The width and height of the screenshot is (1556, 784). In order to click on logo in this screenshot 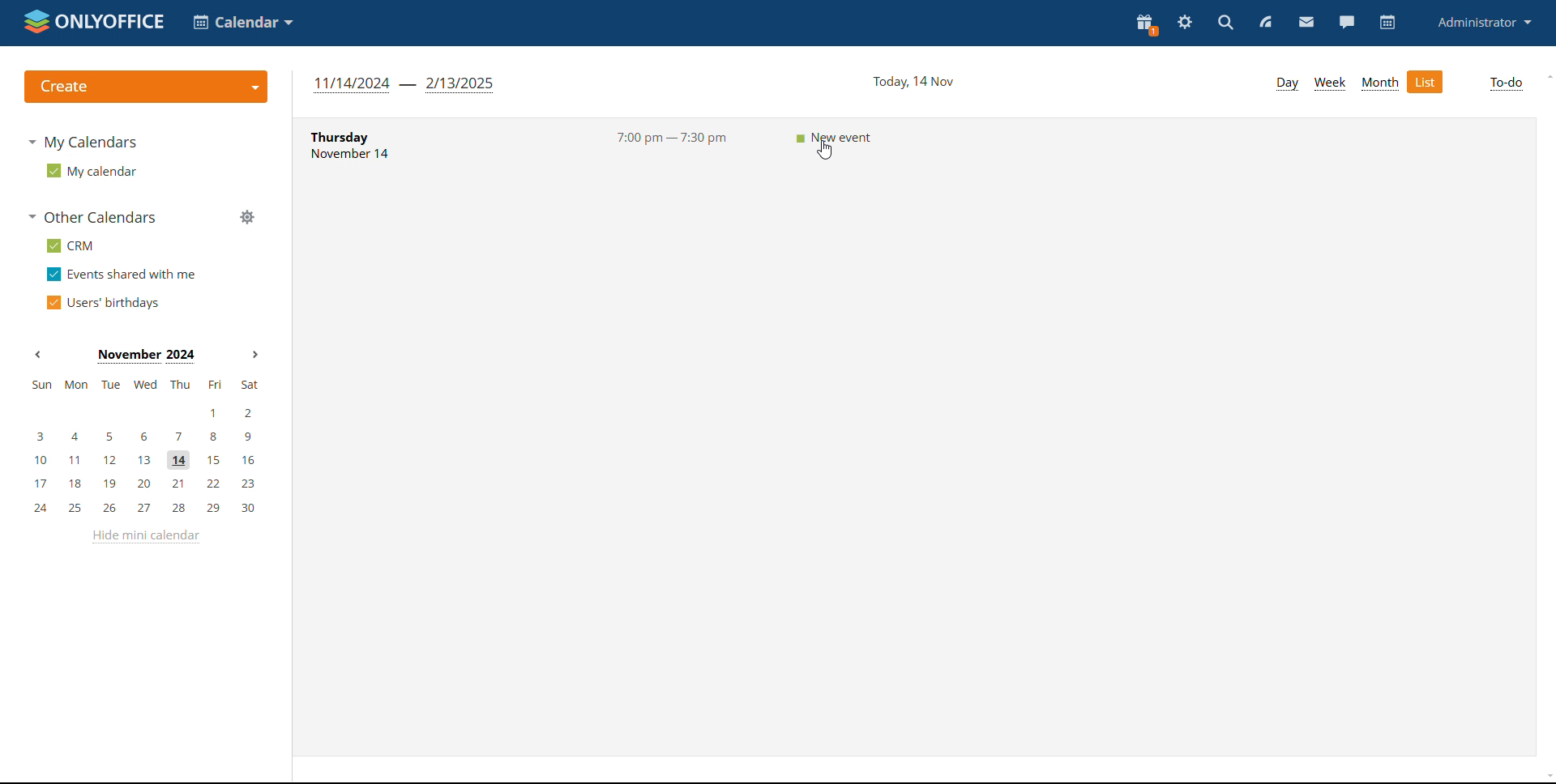, I will do `click(146, 86)`.